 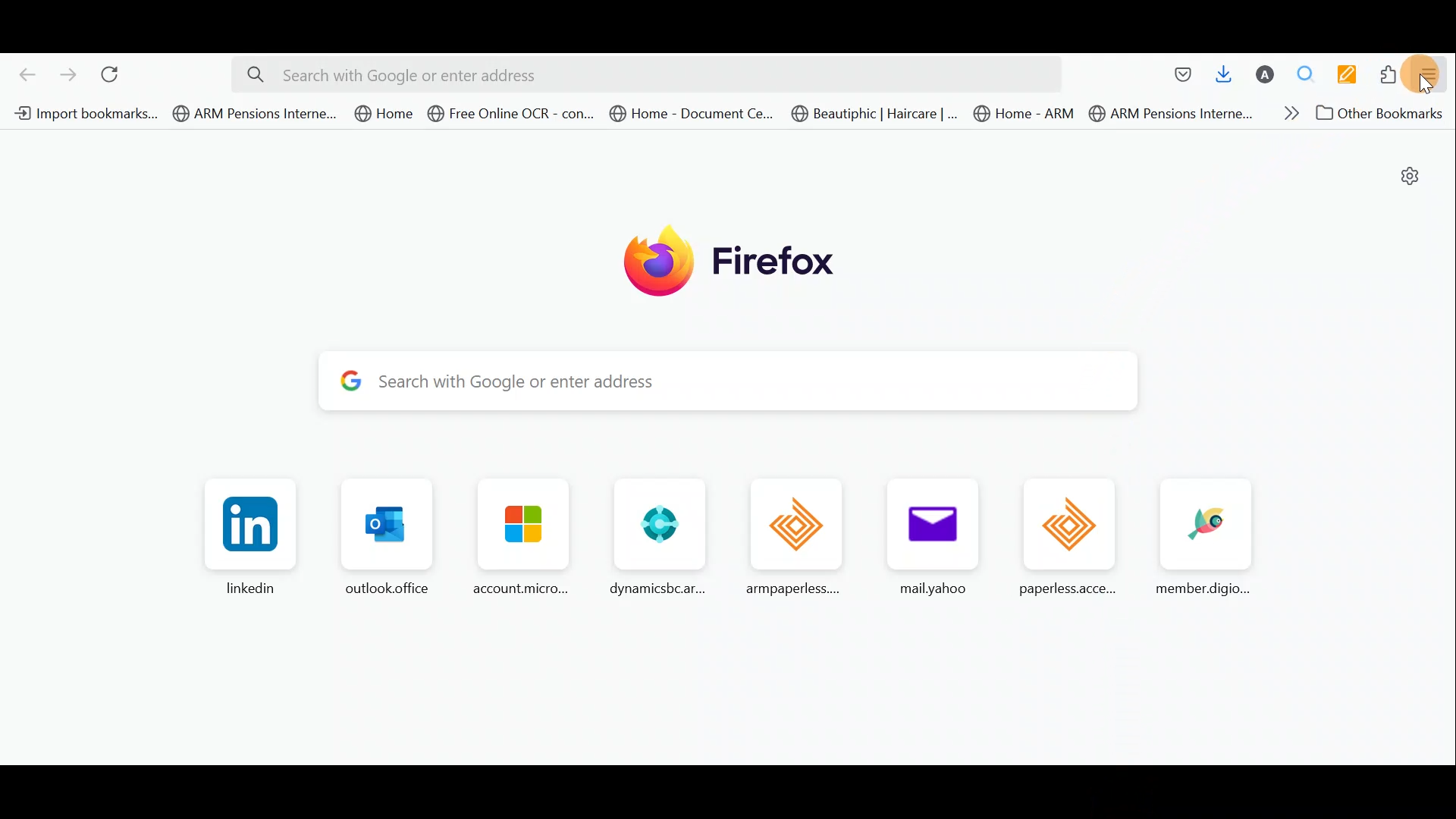 I want to click on Home - ARM, so click(x=1027, y=114).